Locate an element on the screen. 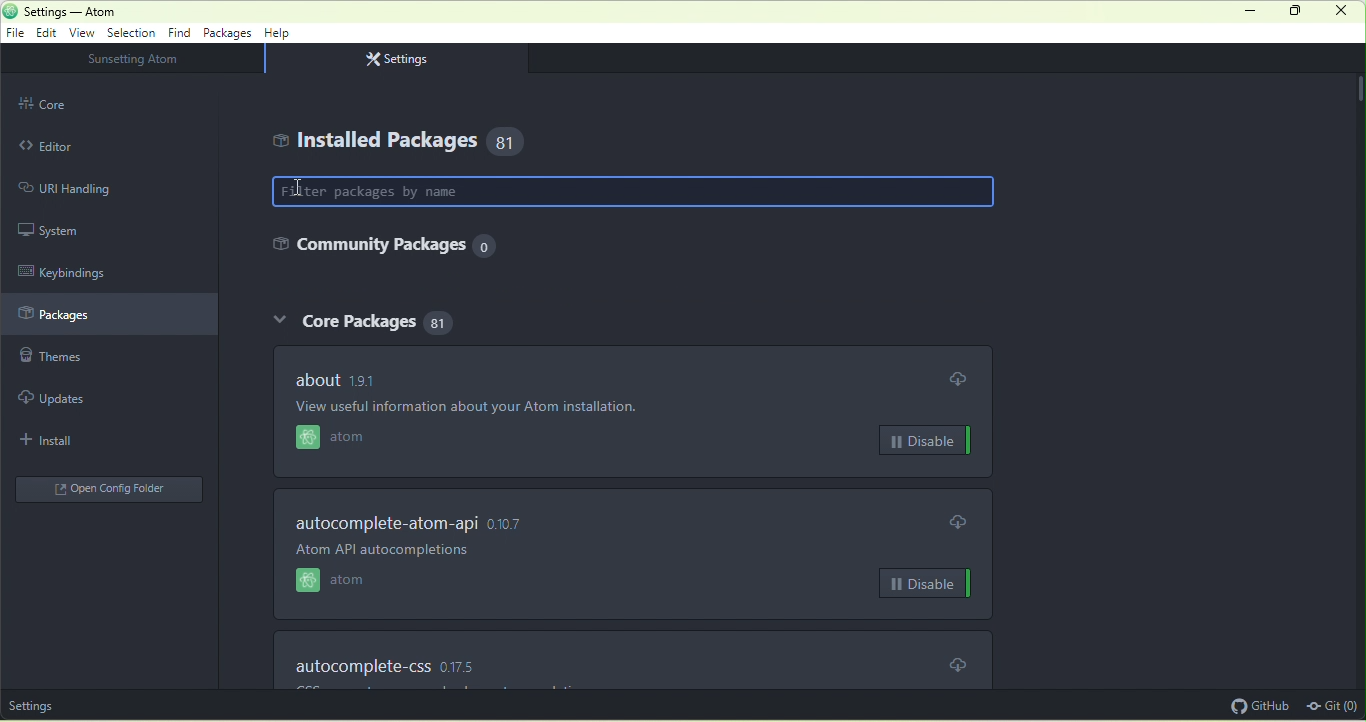 Image resolution: width=1366 pixels, height=722 pixels. view useful information about your atom installation is located at coordinates (528, 408).